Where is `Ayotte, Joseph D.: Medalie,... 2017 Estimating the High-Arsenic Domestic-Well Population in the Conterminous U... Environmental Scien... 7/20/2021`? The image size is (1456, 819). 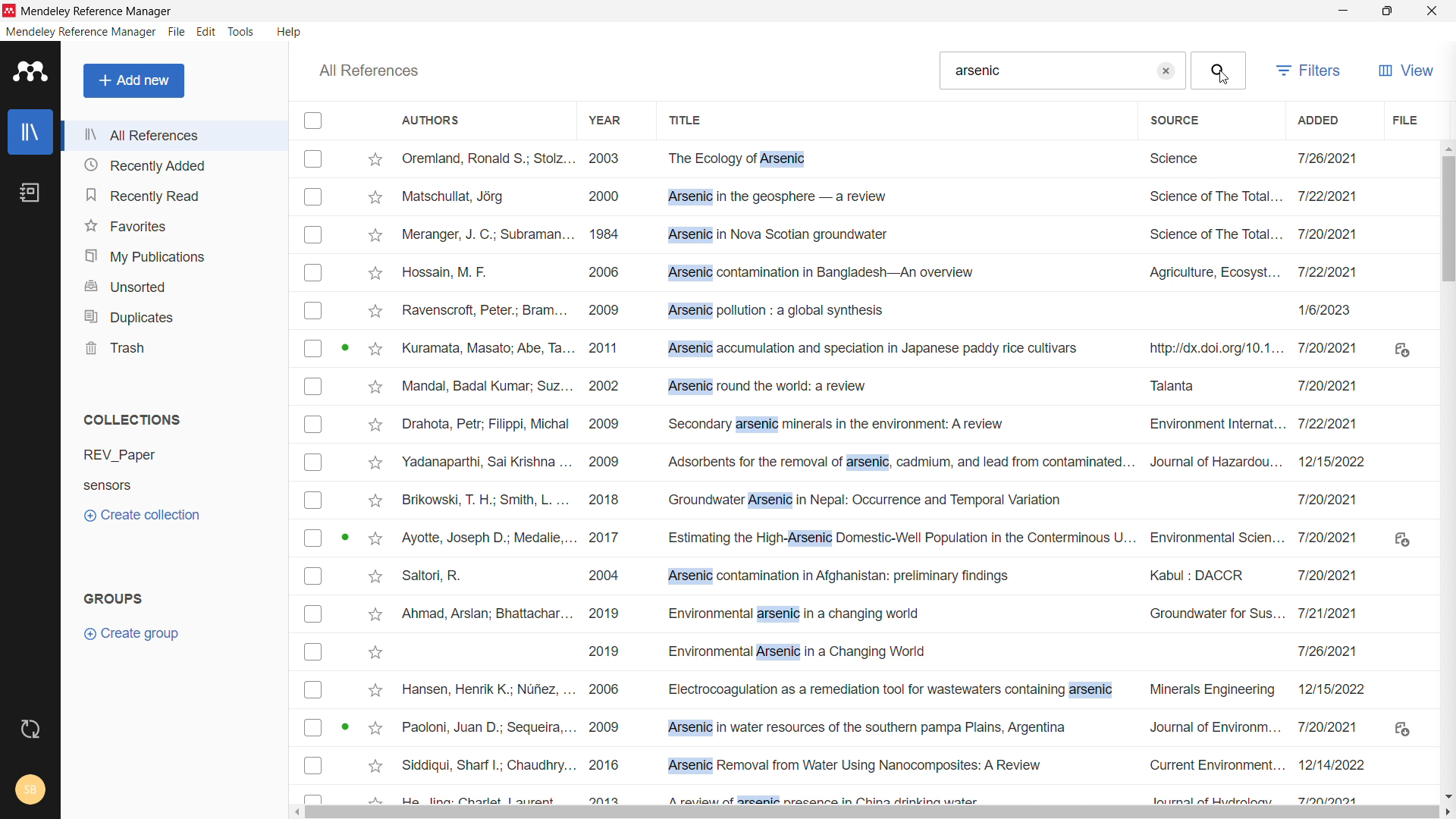
Ayotte, Joseph D.: Medalie,... 2017 Estimating the High-Arsenic Domestic-Well Population in the Conterminous U... Environmental Scien... 7/20/2021 is located at coordinates (881, 536).